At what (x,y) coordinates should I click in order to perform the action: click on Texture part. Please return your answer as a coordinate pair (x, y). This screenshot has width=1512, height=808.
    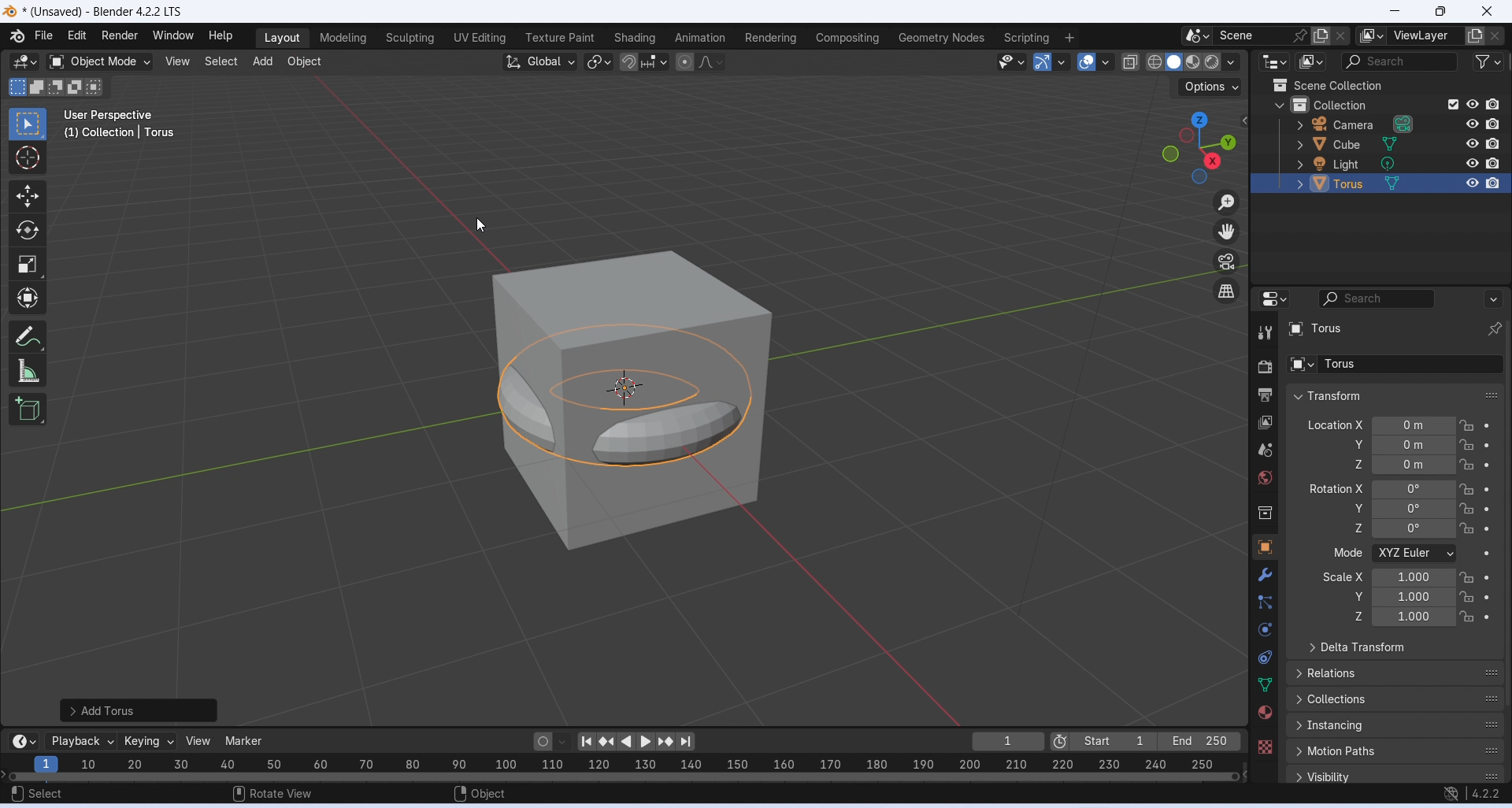
    Looking at the image, I should click on (561, 38).